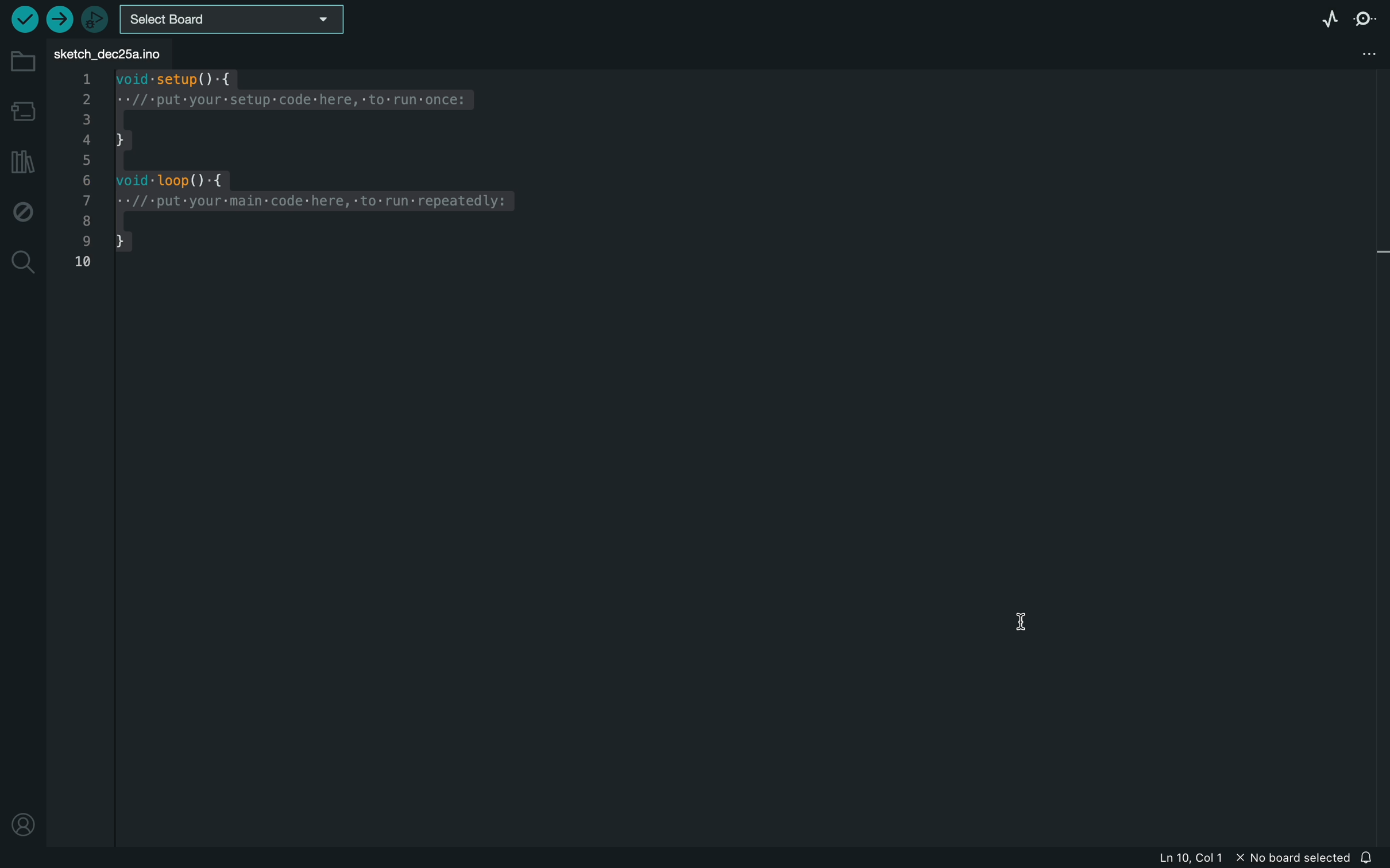 Image resolution: width=1390 pixels, height=868 pixels. What do you see at coordinates (23, 21) in the screenshot?
I see `verify` at bounding box center [23, 21].